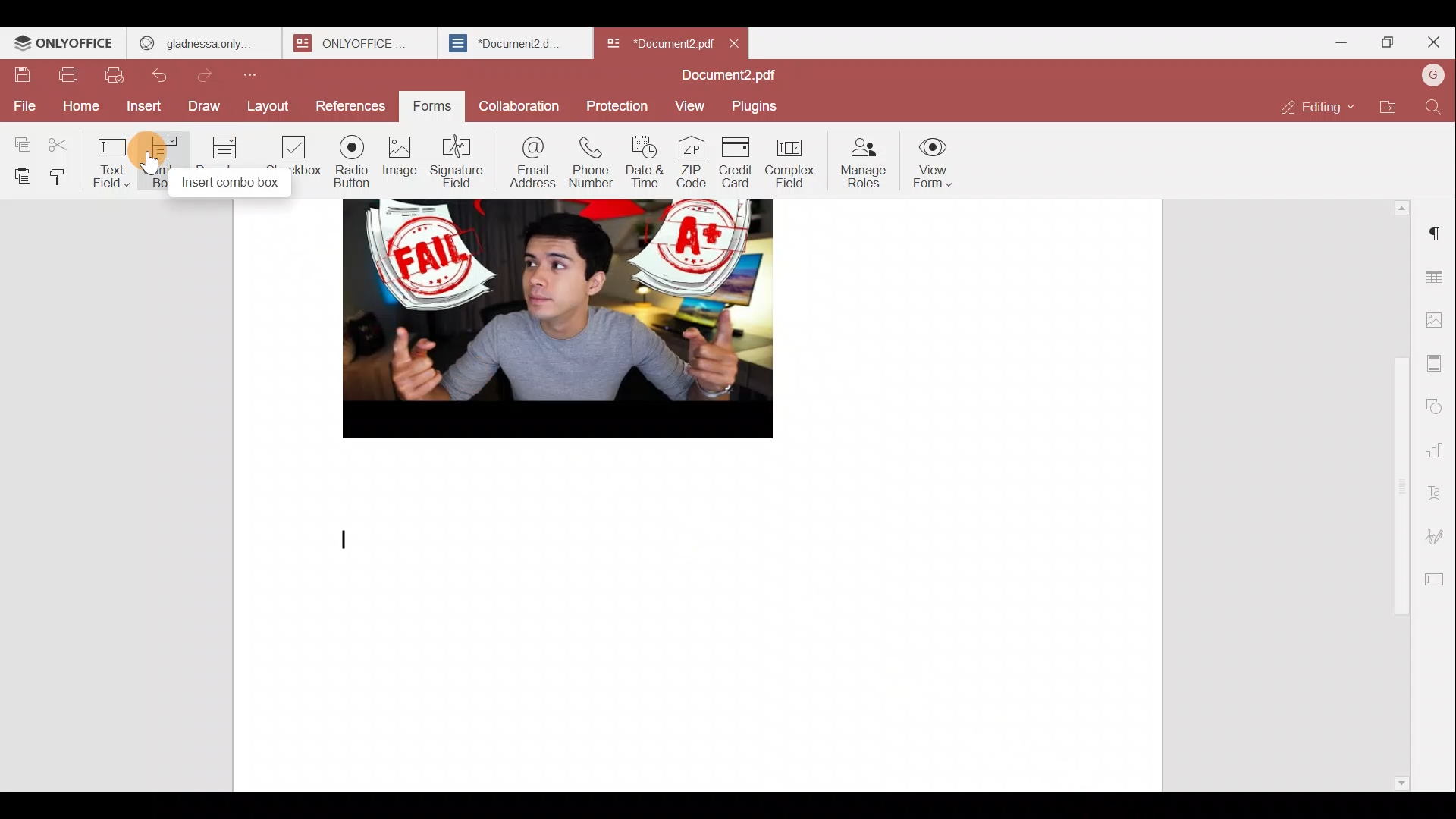 This screenshot has height=819, width=1456. What do you see at coordinates (352, 162) in the screenshot?
I see `Radio` at bounding box center [352, 162].